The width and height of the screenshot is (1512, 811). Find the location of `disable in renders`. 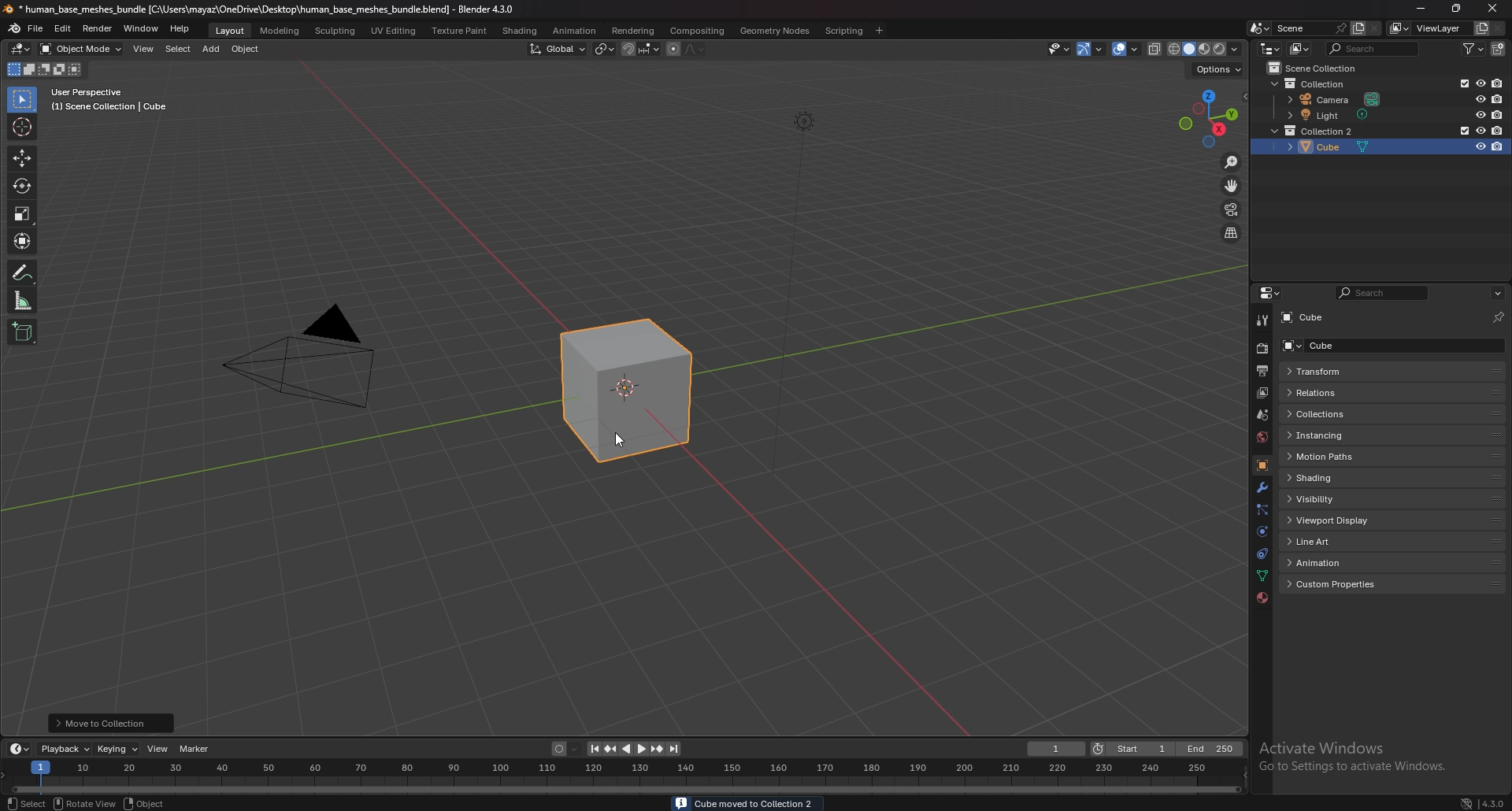

disable in renders is located at coordinates (1498, 82).